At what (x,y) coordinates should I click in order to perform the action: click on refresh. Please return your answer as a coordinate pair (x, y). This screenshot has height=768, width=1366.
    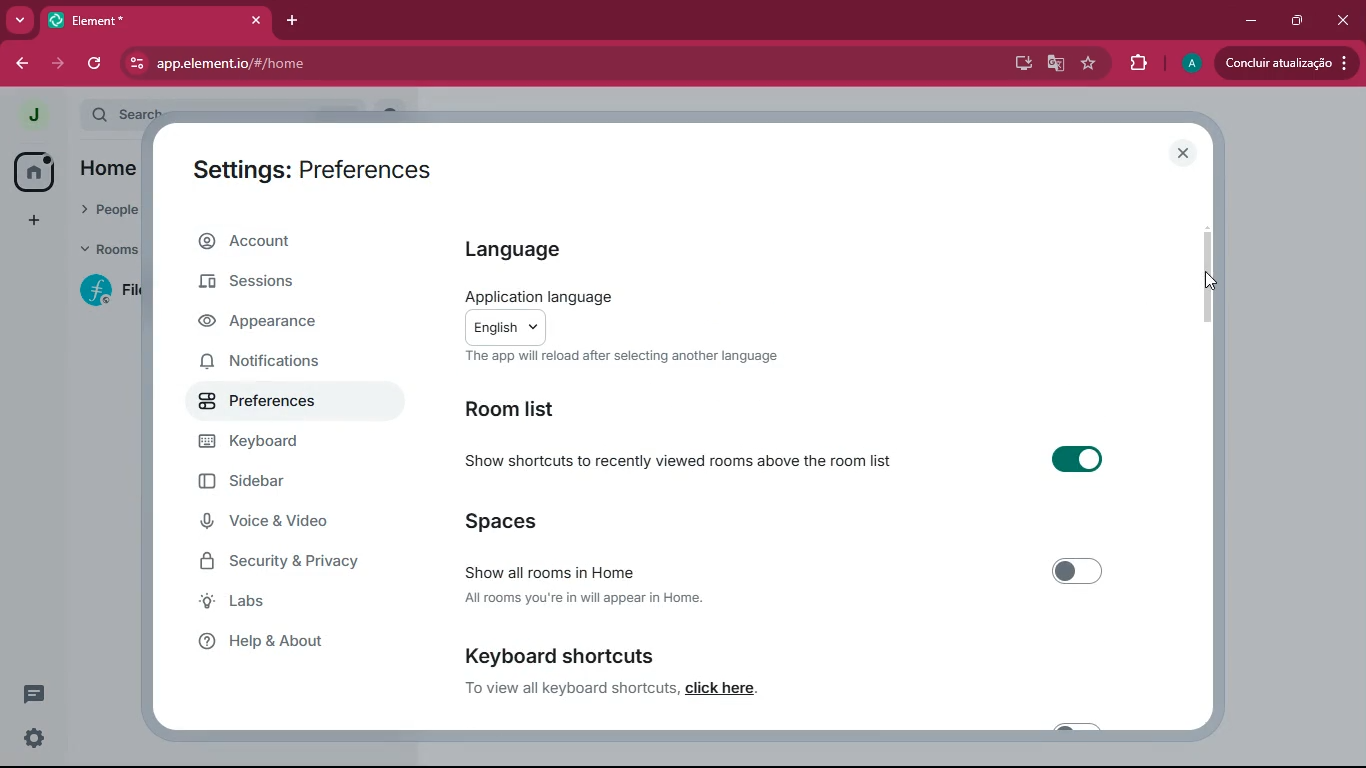
    Looking at the image, I should click on (99, 64).